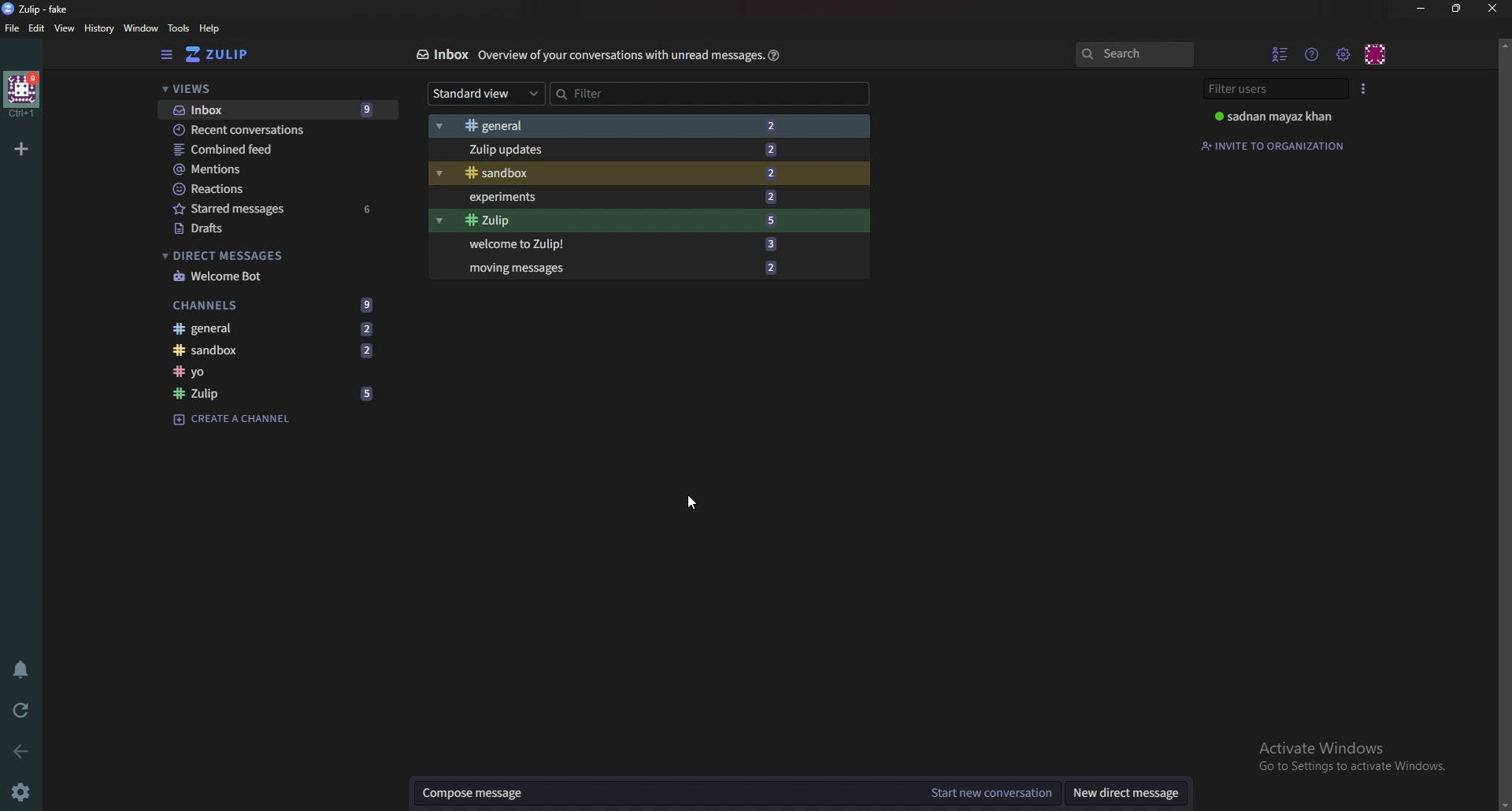 The width and height of the screenshot is (1512, 811). What do you see at coordinates (1458, 9) in the screenshot?
I see `Resize` at bounding box center [1458, 9].